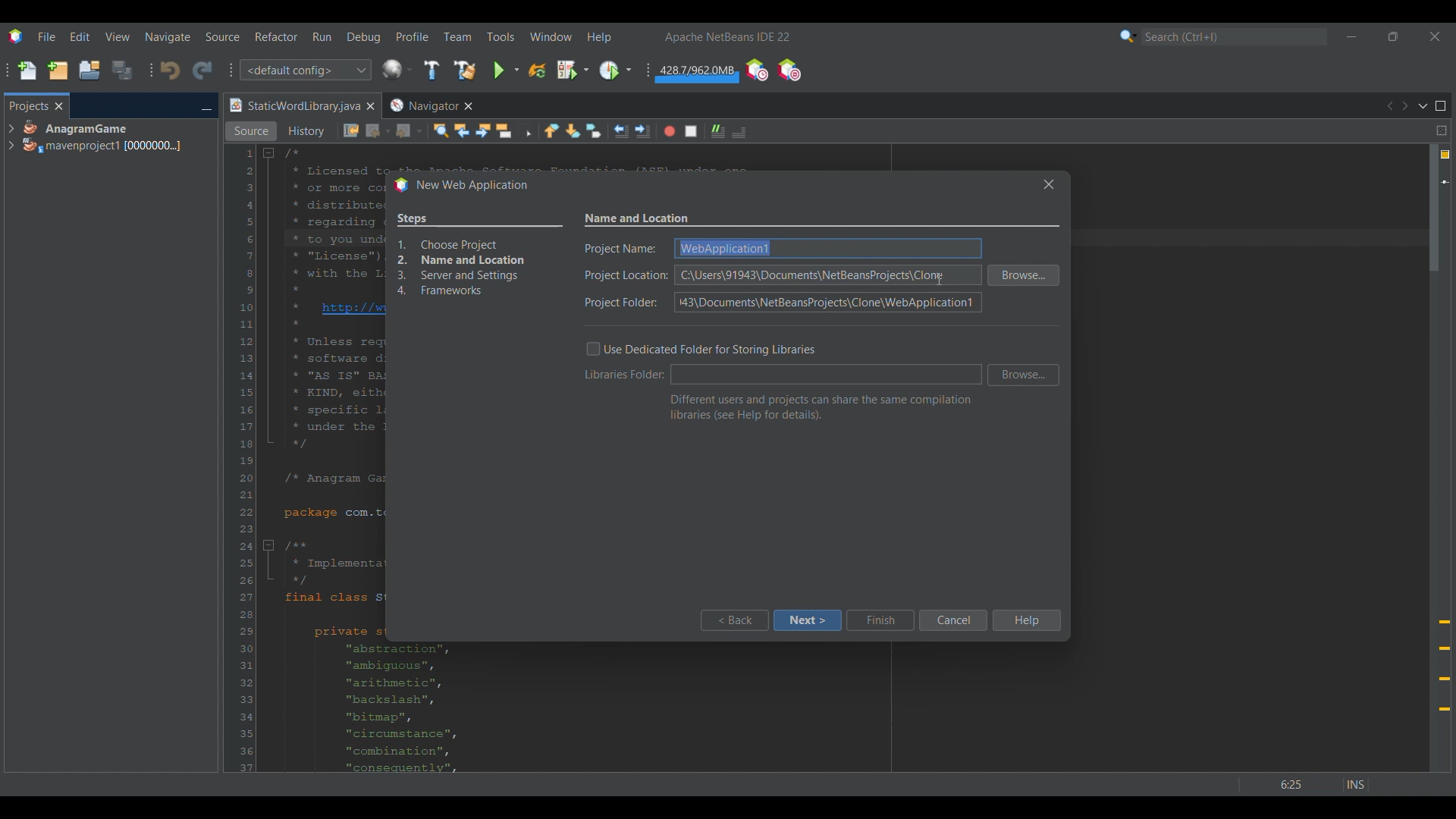 This screenshot has height=819, width=1456. I want to click on History view, so click(308, 131).